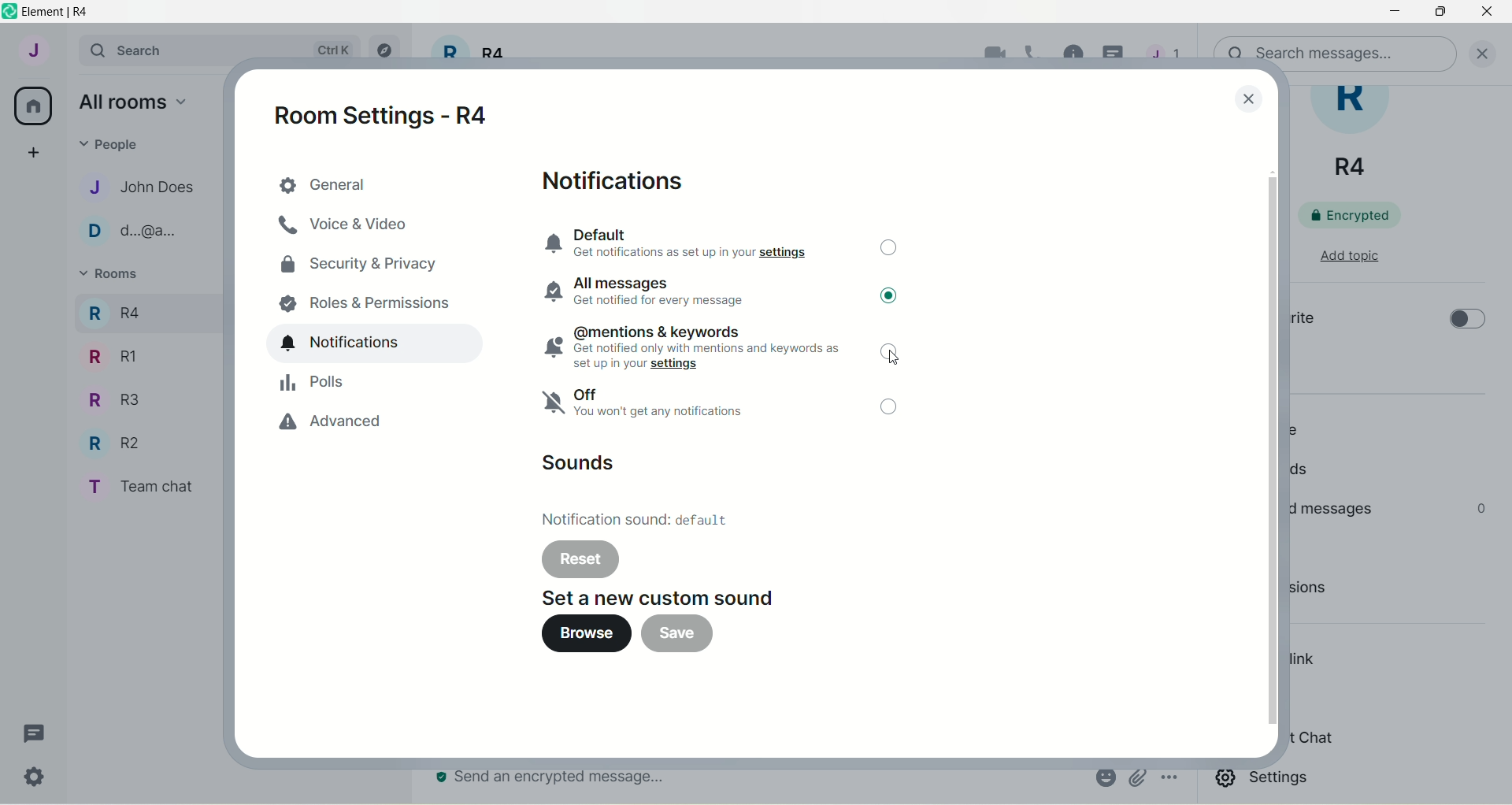  I want to click on close, so click(1488, 52).